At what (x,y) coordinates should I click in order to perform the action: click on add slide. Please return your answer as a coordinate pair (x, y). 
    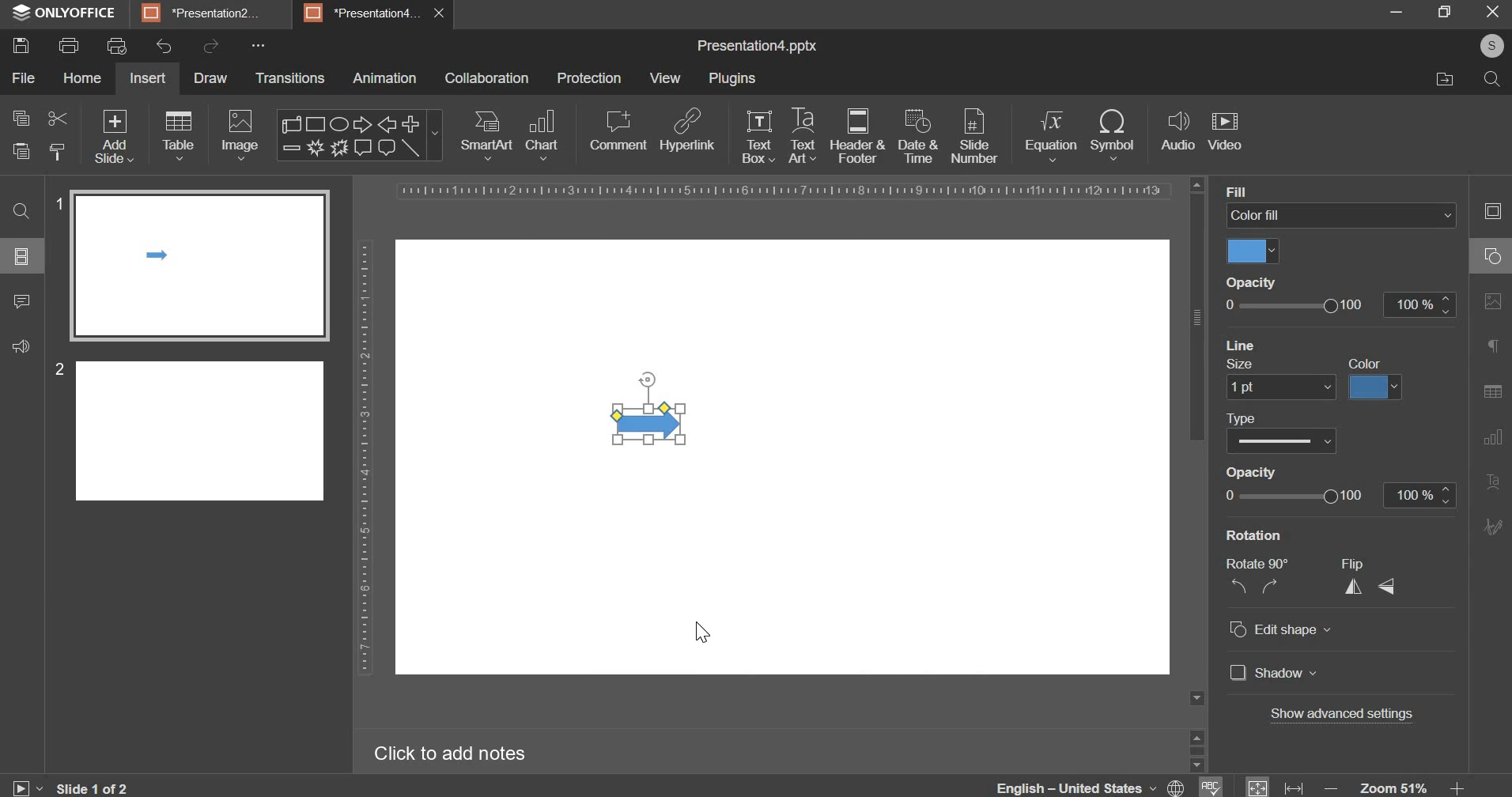
    Looking at the image, I should click on (115, 136).